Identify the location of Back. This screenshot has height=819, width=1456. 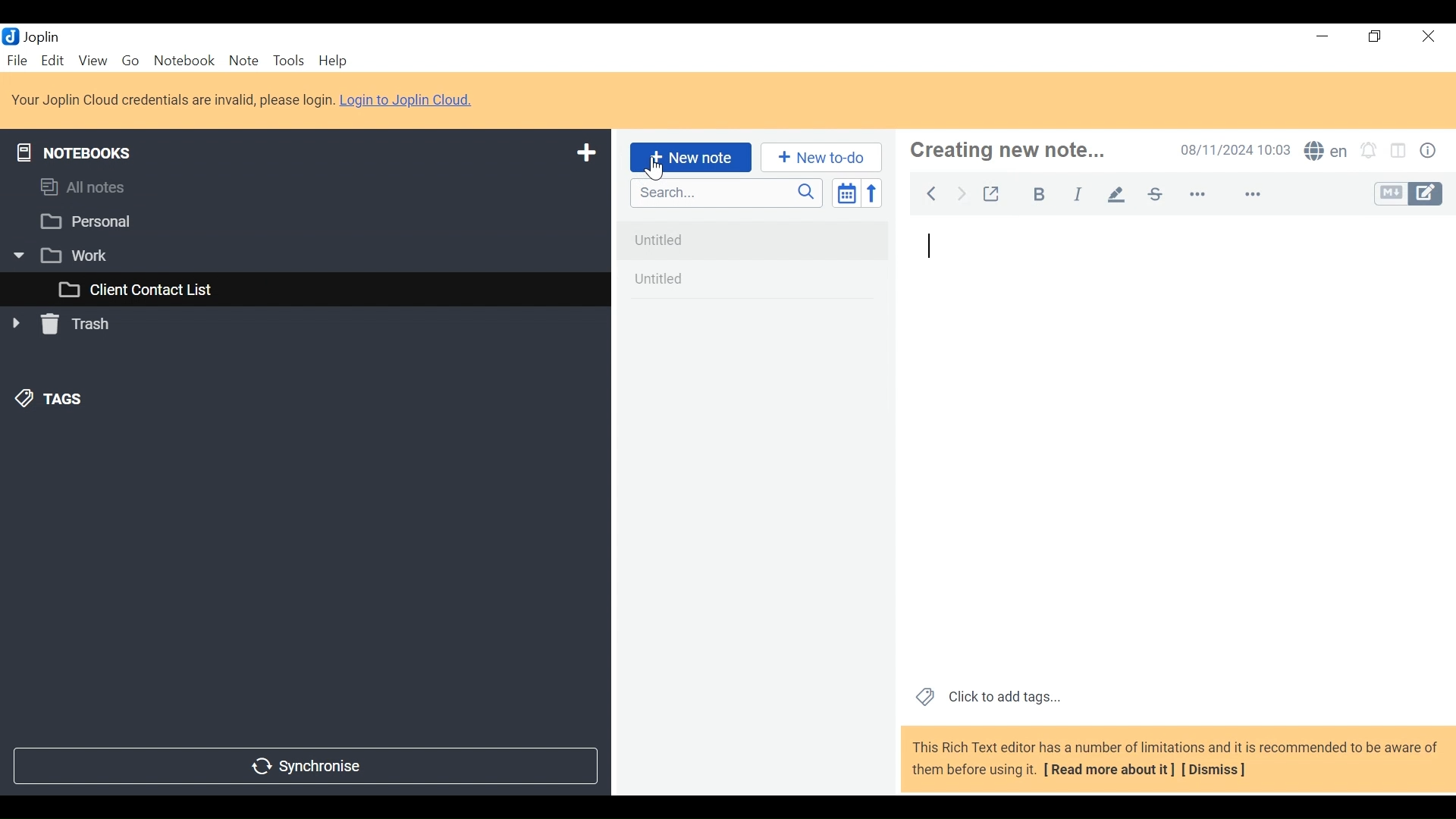
(934, 193).